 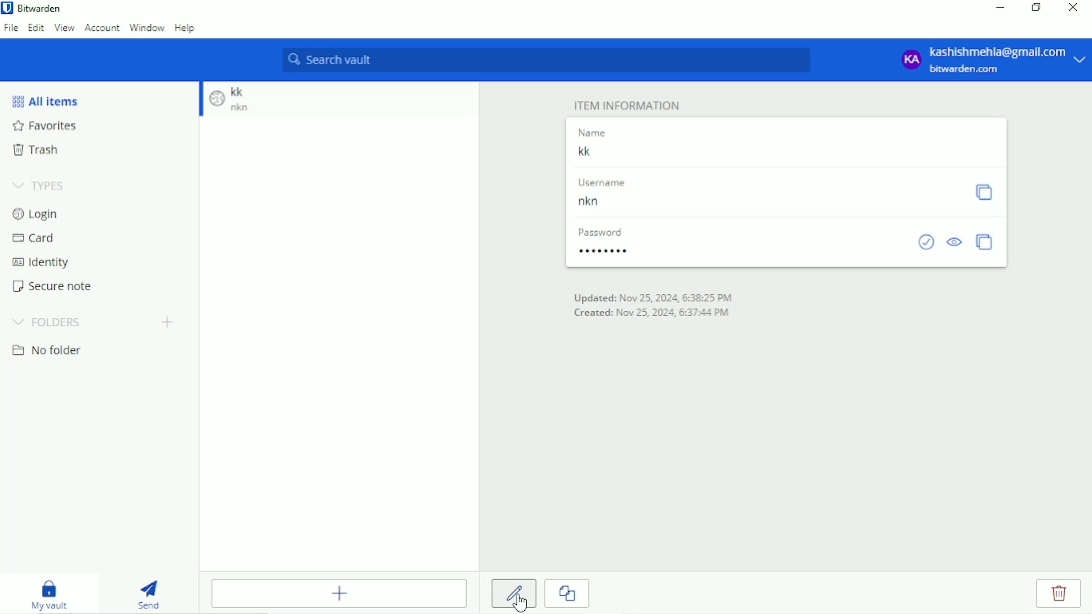 I want to click on Created on date and time, so click(x=649, y=313).